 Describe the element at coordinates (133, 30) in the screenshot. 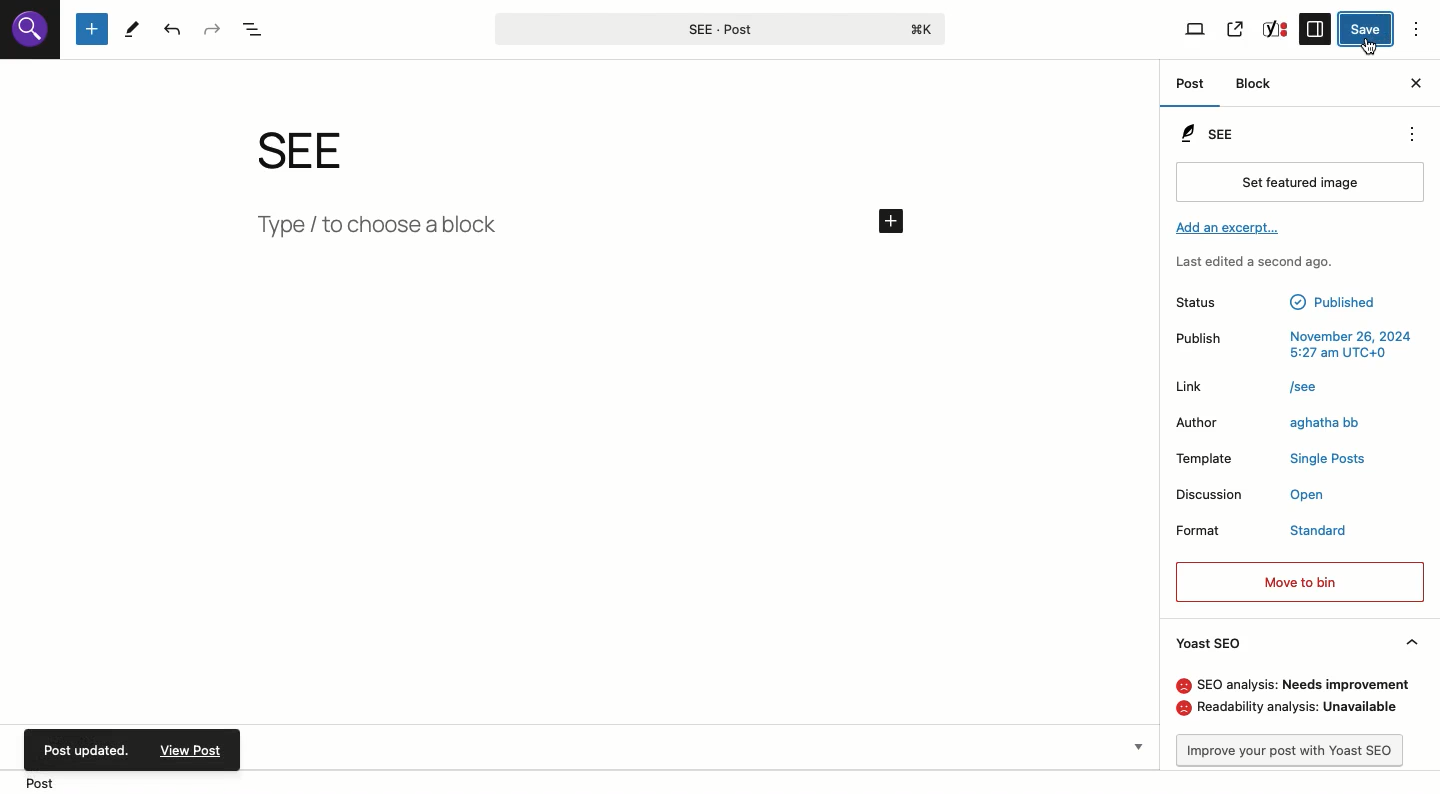

I see `Tools` at that location.